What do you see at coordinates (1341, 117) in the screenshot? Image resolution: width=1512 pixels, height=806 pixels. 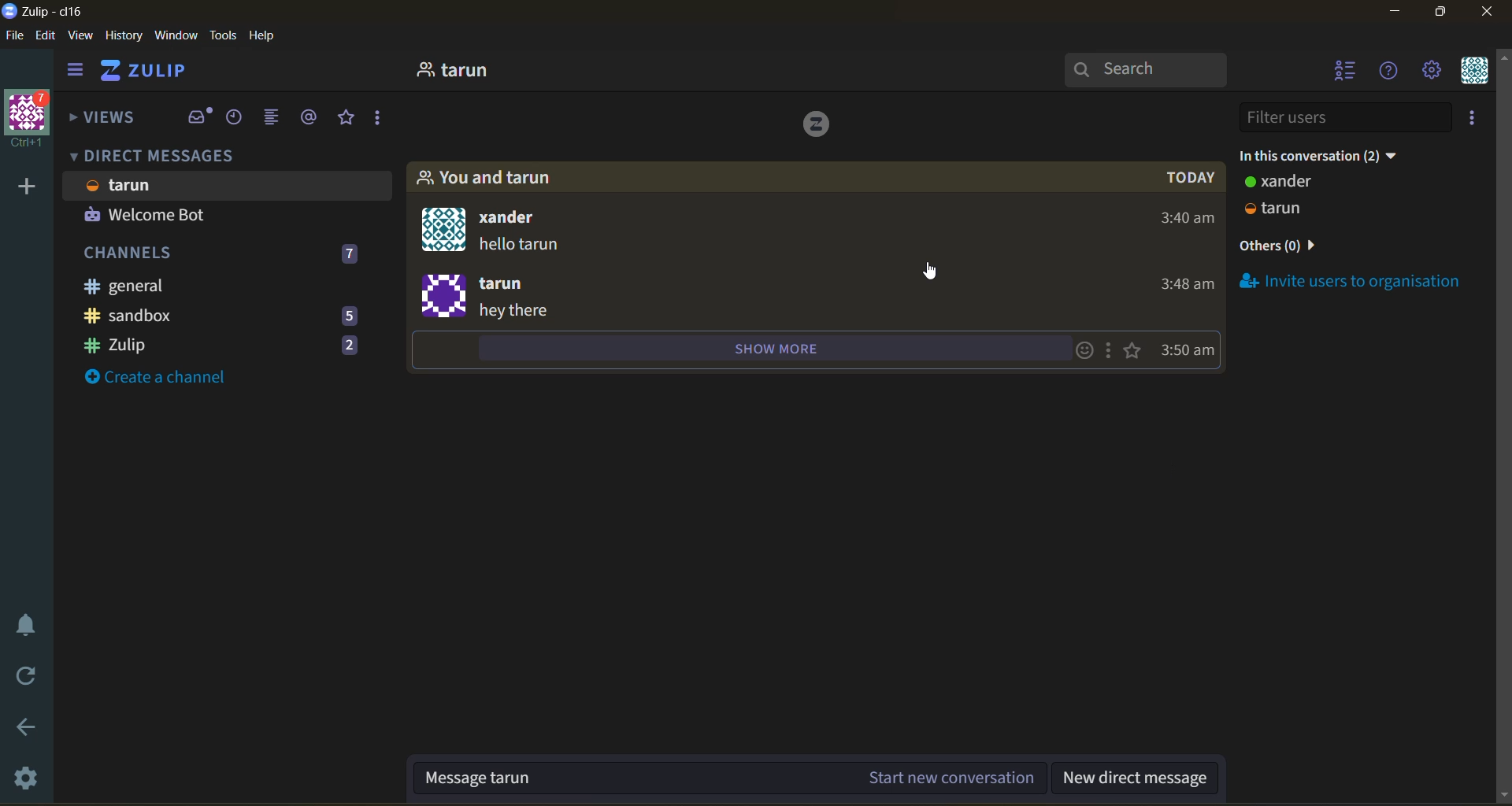 I see `filter users` at bounding box center [1341, 117].